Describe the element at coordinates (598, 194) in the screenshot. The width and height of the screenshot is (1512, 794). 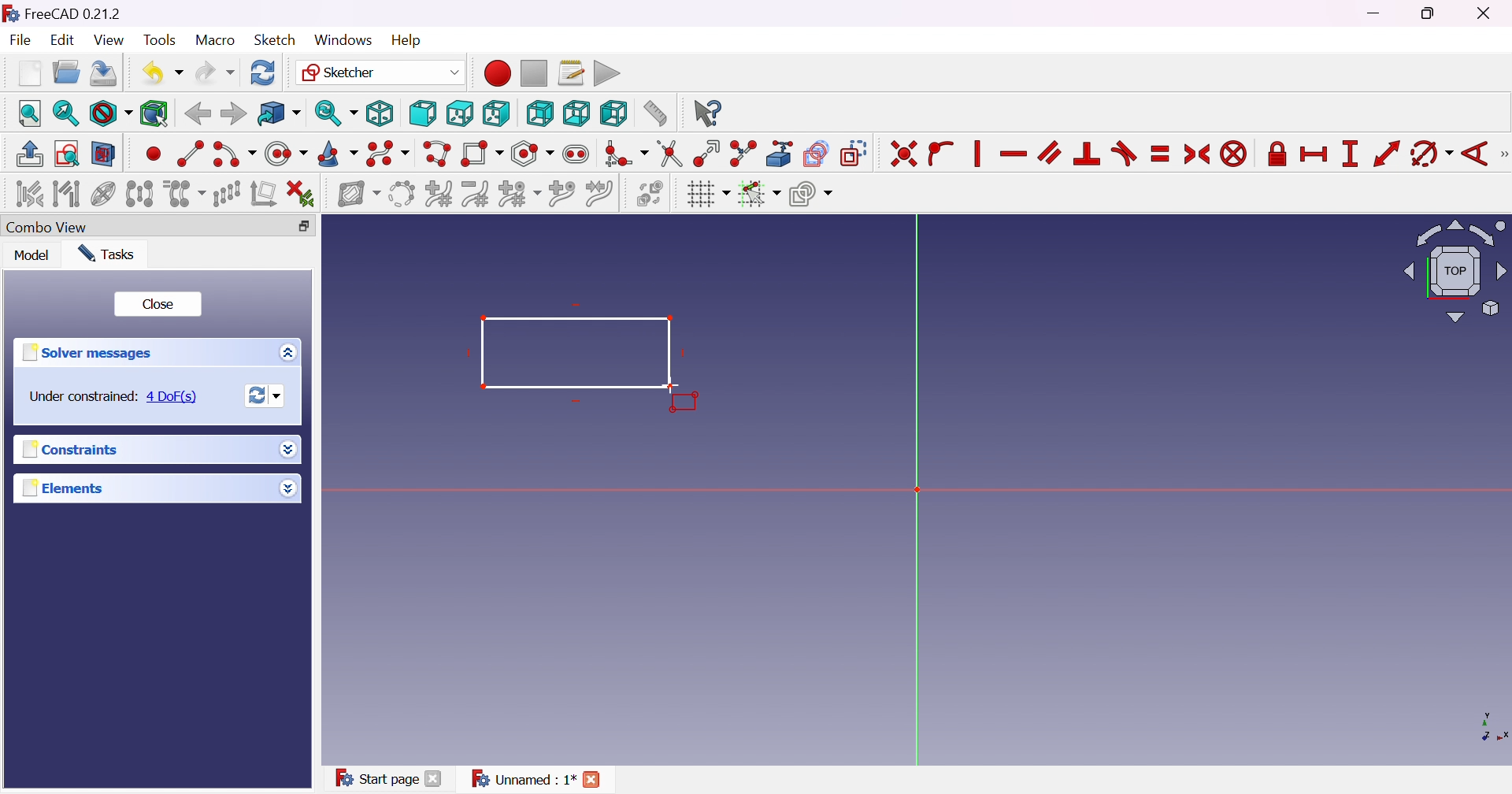
I see `Join curves` at that location.